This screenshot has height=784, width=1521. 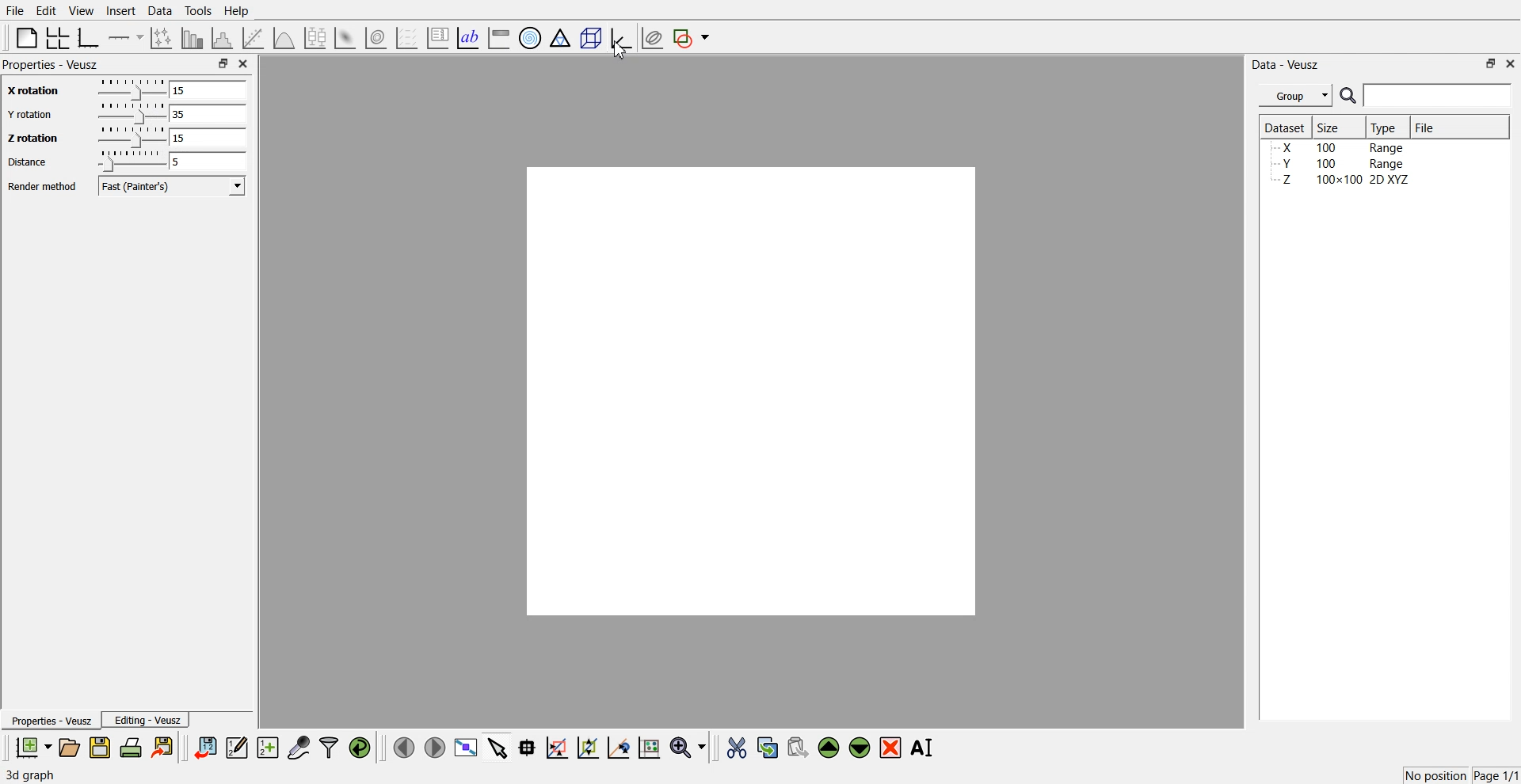 What do you see at coordinates (130, 747) in the screenshot?
I see `Print the document` at bounding box center [130, 747].